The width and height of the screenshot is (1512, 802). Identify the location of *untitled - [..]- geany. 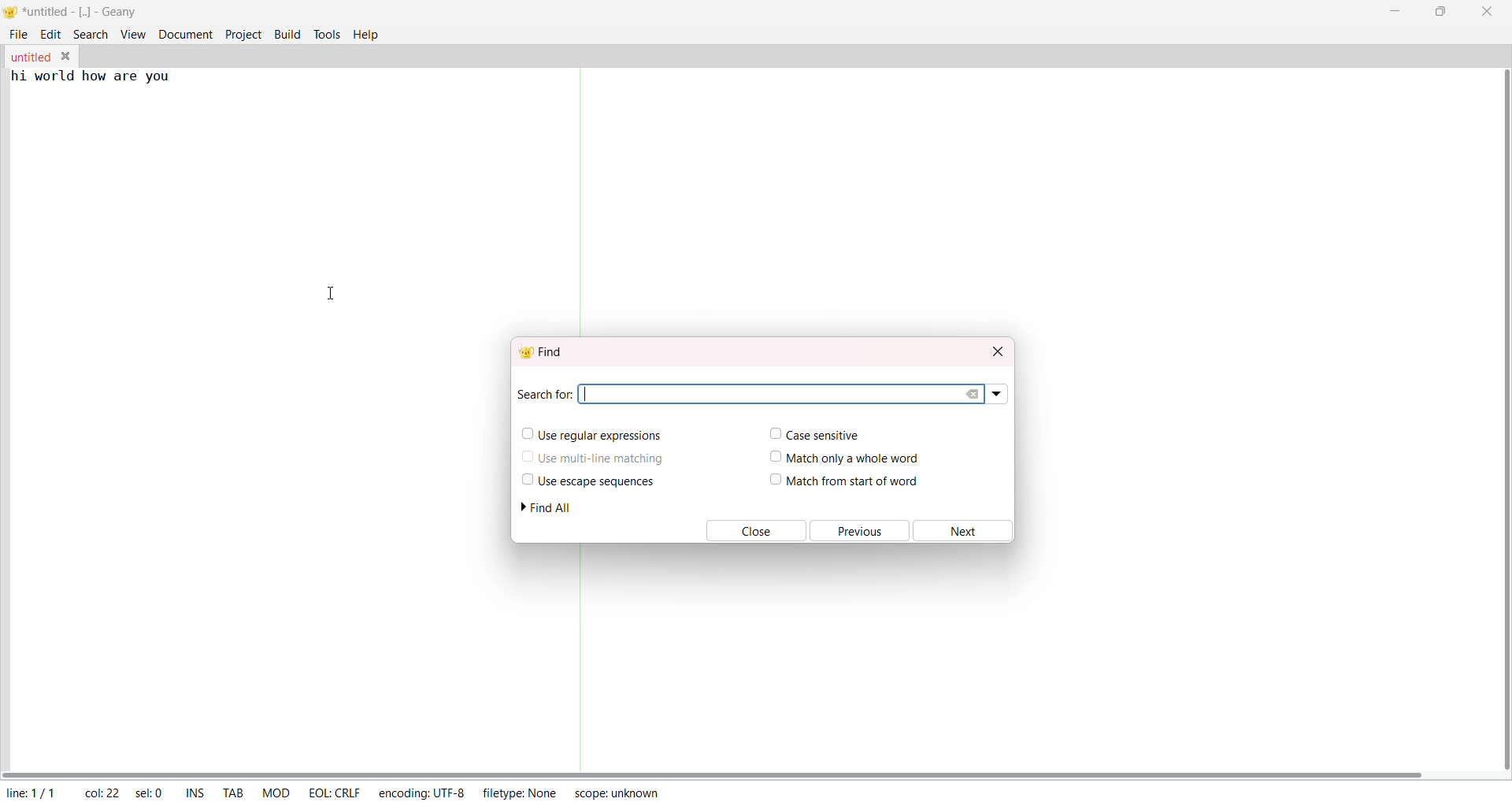
(84, 12).